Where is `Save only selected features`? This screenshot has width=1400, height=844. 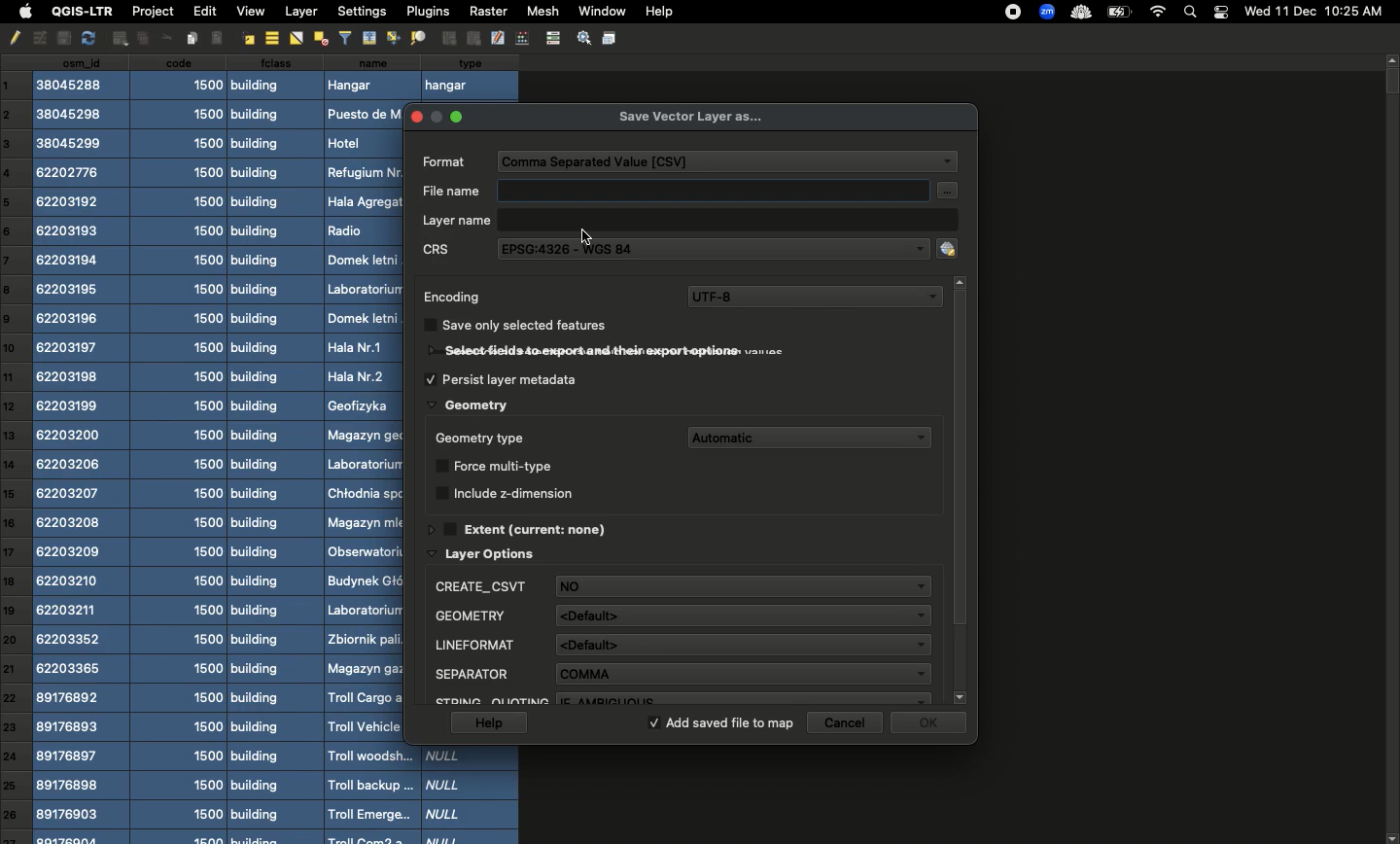 Save only selected features is located at coordinates (529, 326).